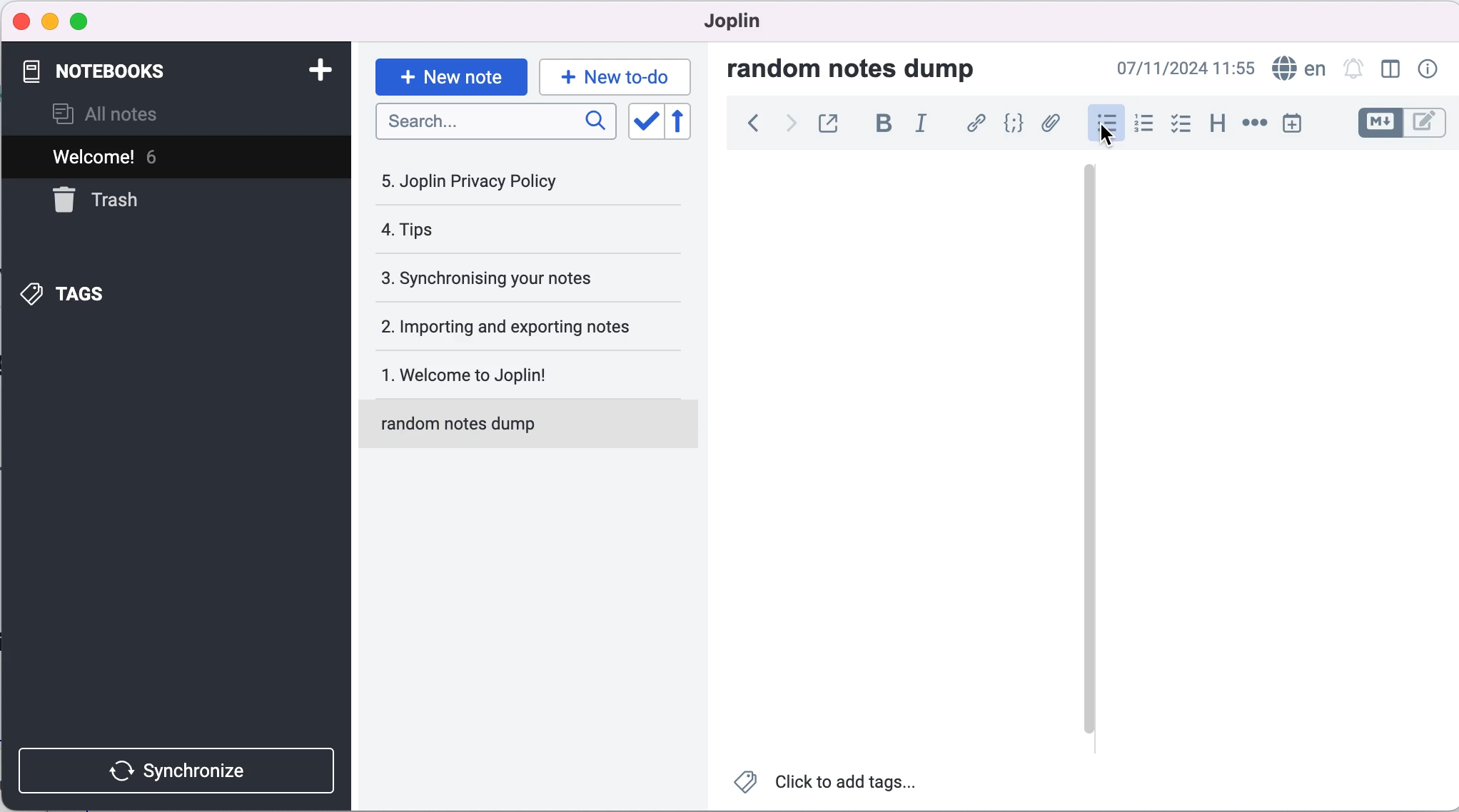 The image size is (1459, 812). Describe the element at coordinates (832, 785) in the screenshot. I see `click to add tags` at that location.